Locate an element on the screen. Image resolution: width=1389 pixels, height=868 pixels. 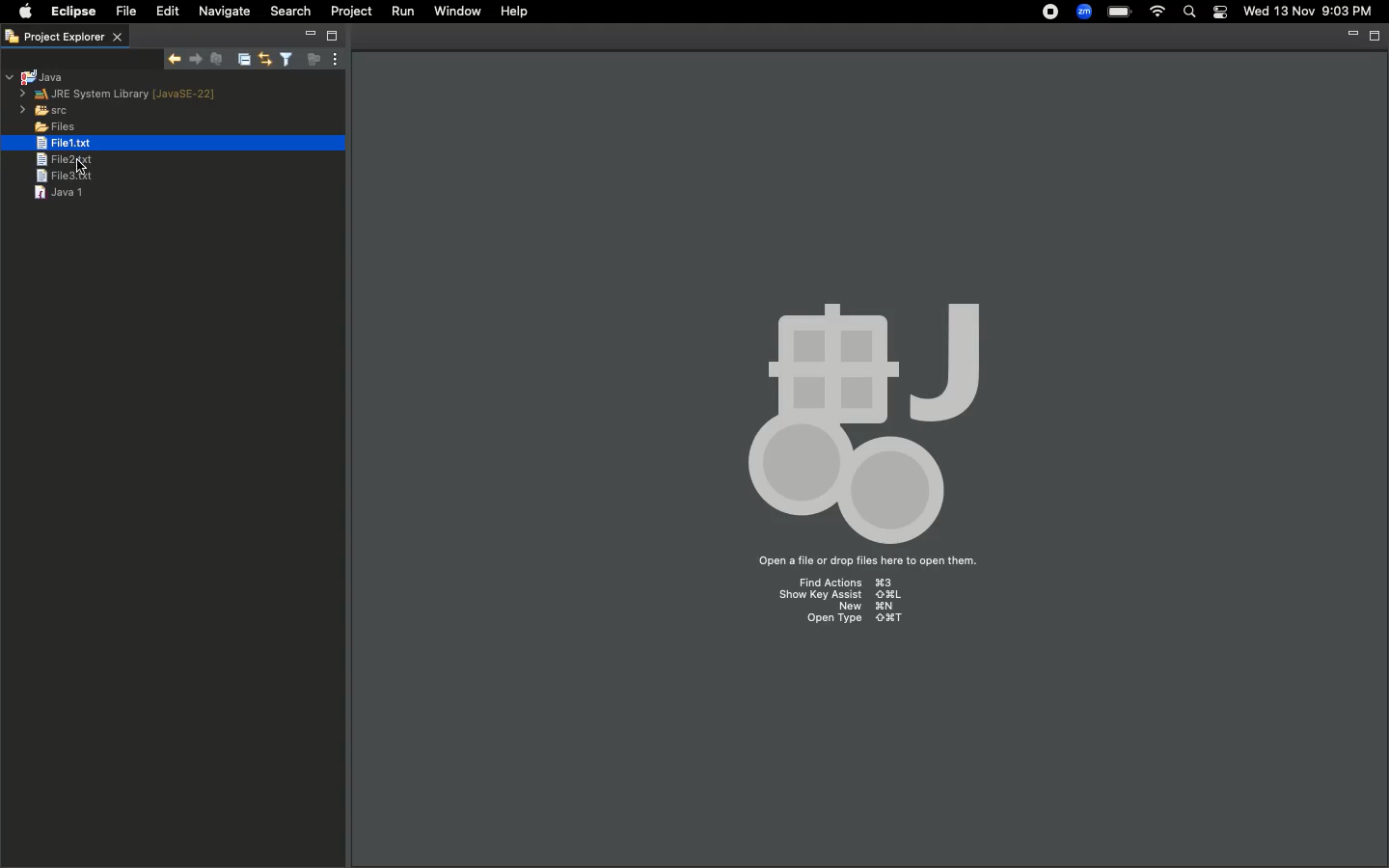
Run is located at coordinates (401, 12).